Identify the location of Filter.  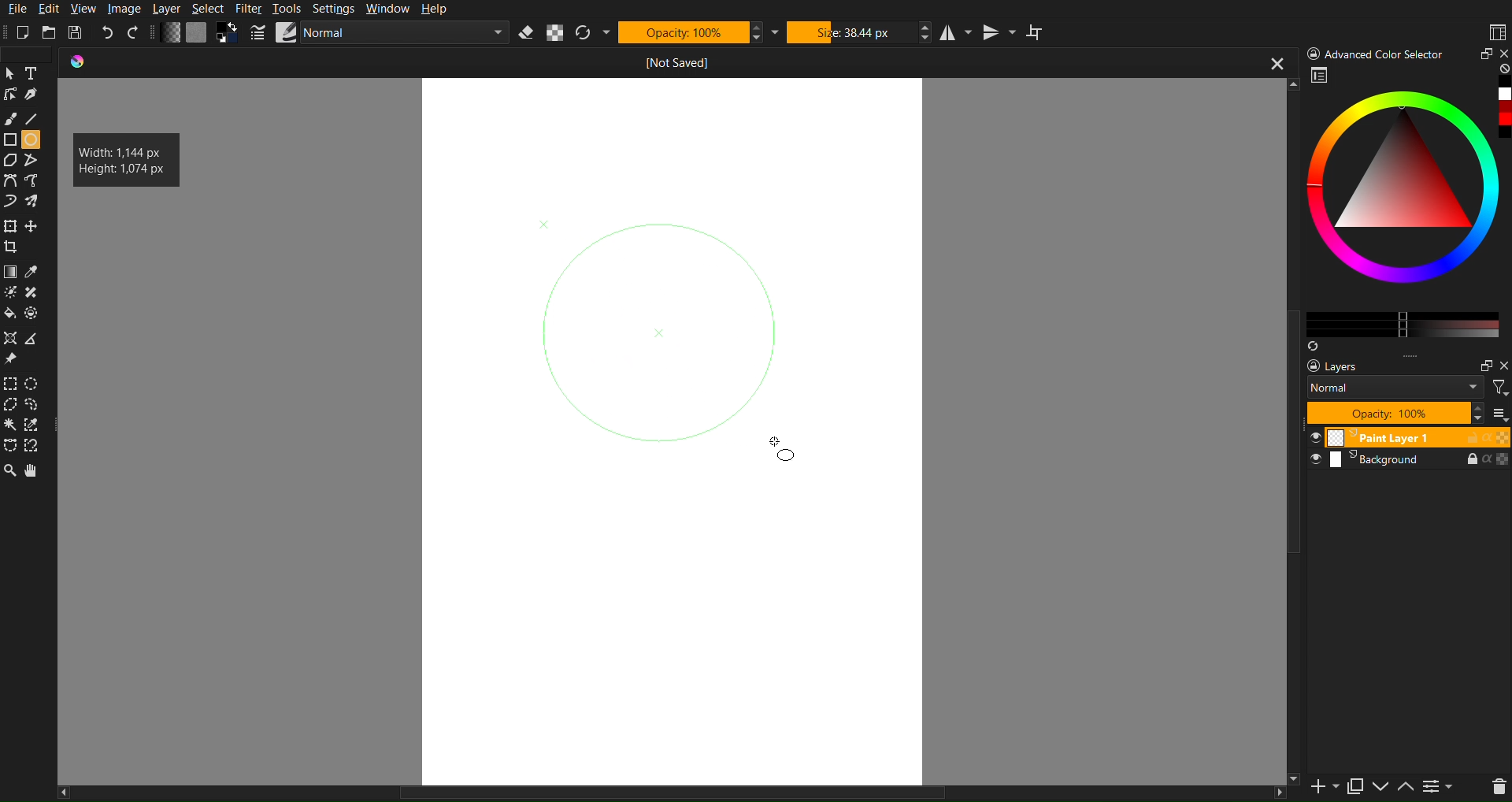
(251, 9).